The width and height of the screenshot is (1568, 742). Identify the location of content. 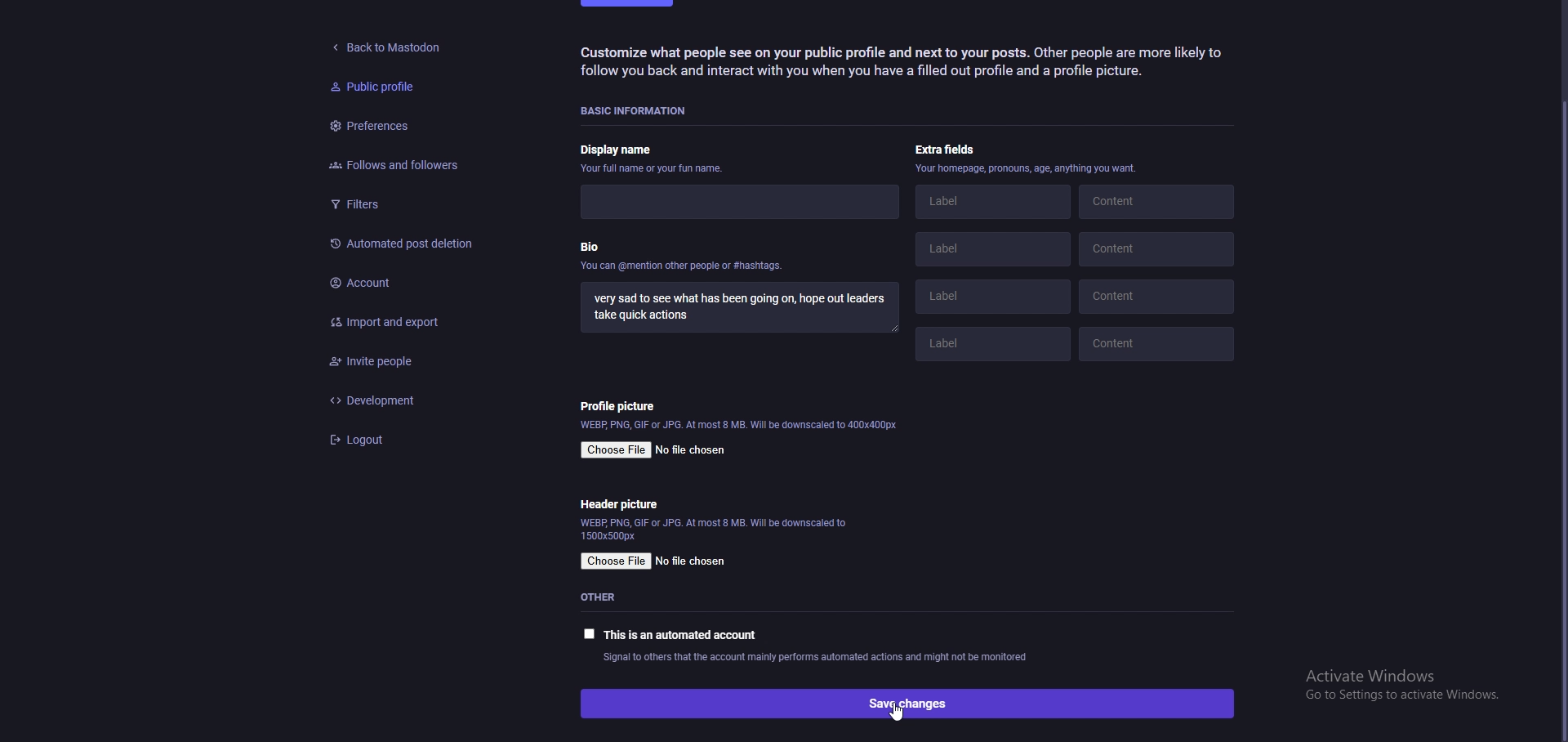
(1160, 295).